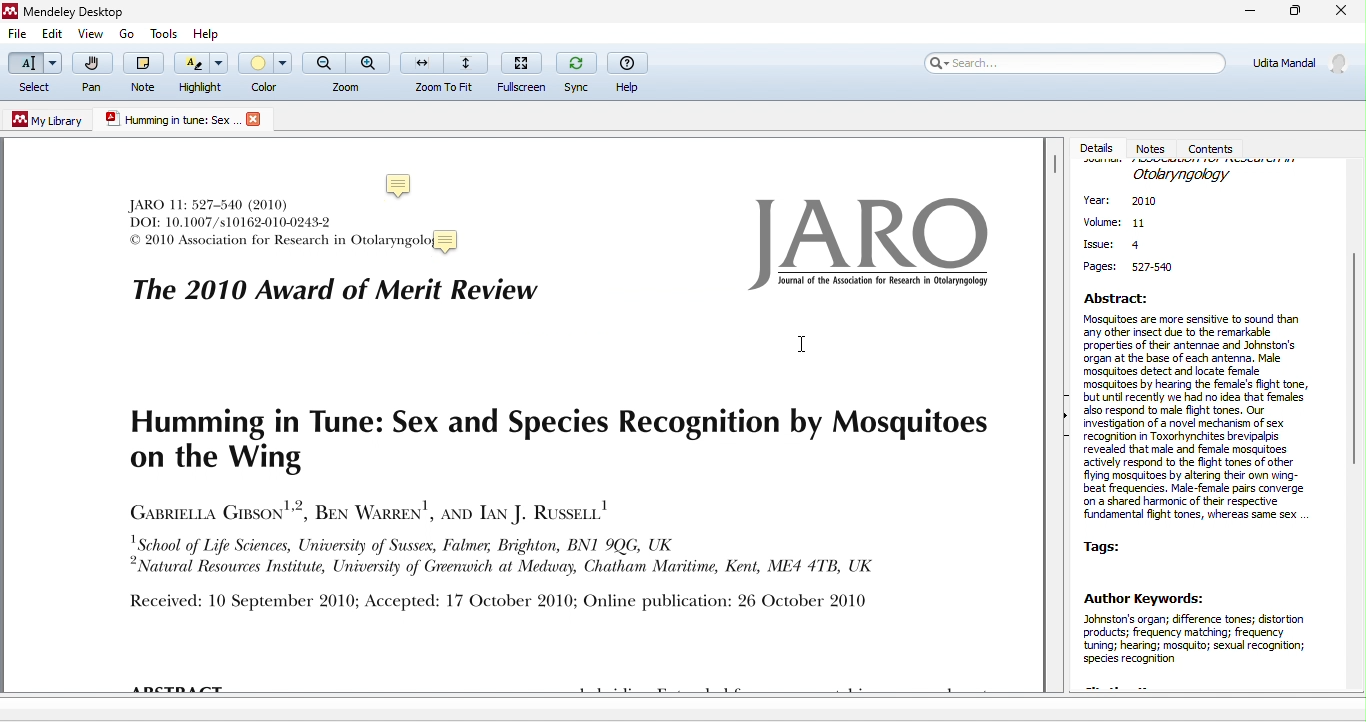 This screenshot has width=1366, height=722. What do you see at coordinates (1342, 12) in the screenshot?
I see `close` at bounding box center [1342, 12].